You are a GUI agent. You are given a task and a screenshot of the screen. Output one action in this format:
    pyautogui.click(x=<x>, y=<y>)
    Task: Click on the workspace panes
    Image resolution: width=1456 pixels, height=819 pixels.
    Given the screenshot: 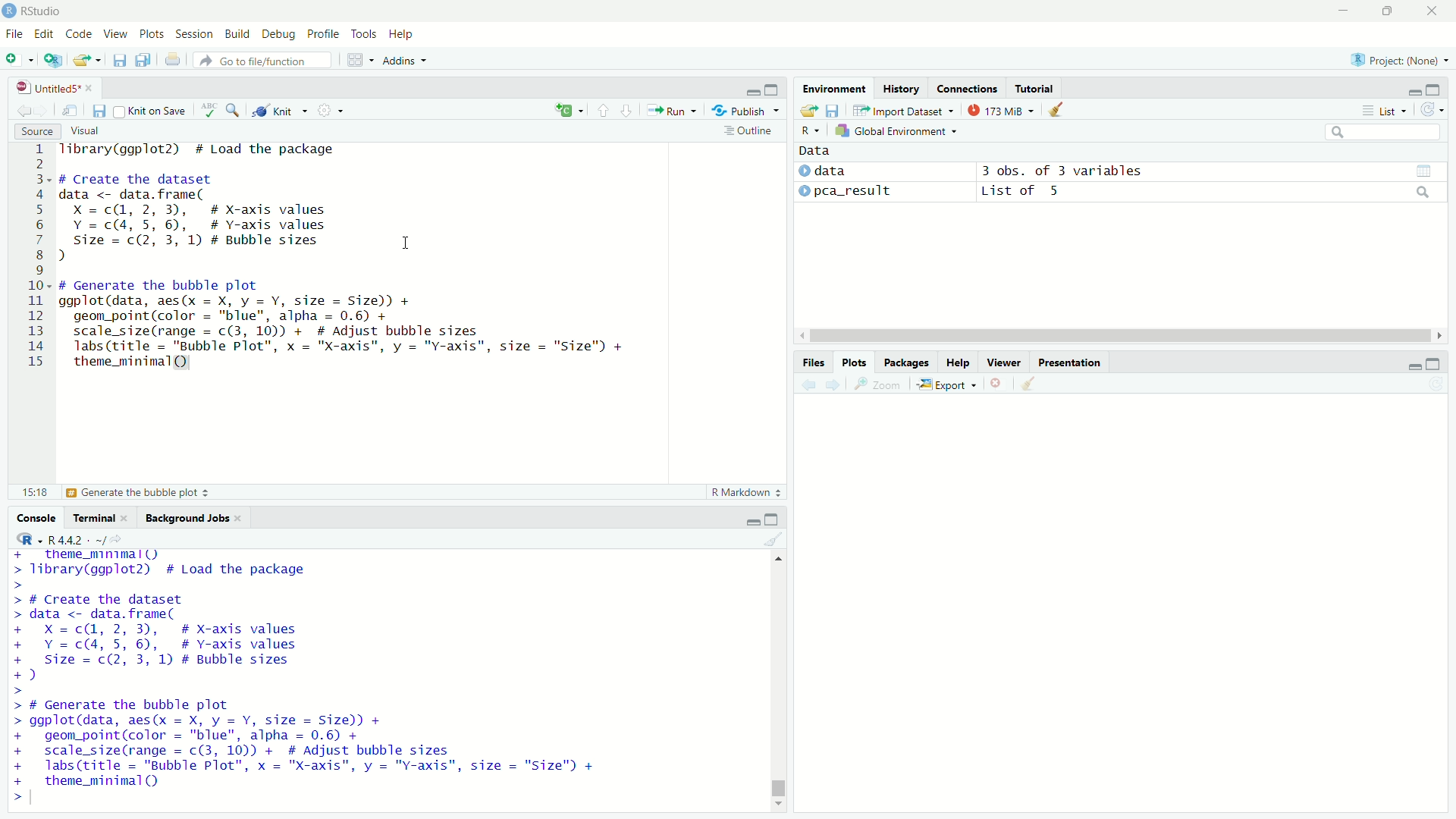 What is the action you would take?
    pyautogui.click(x=357, y=60)
    